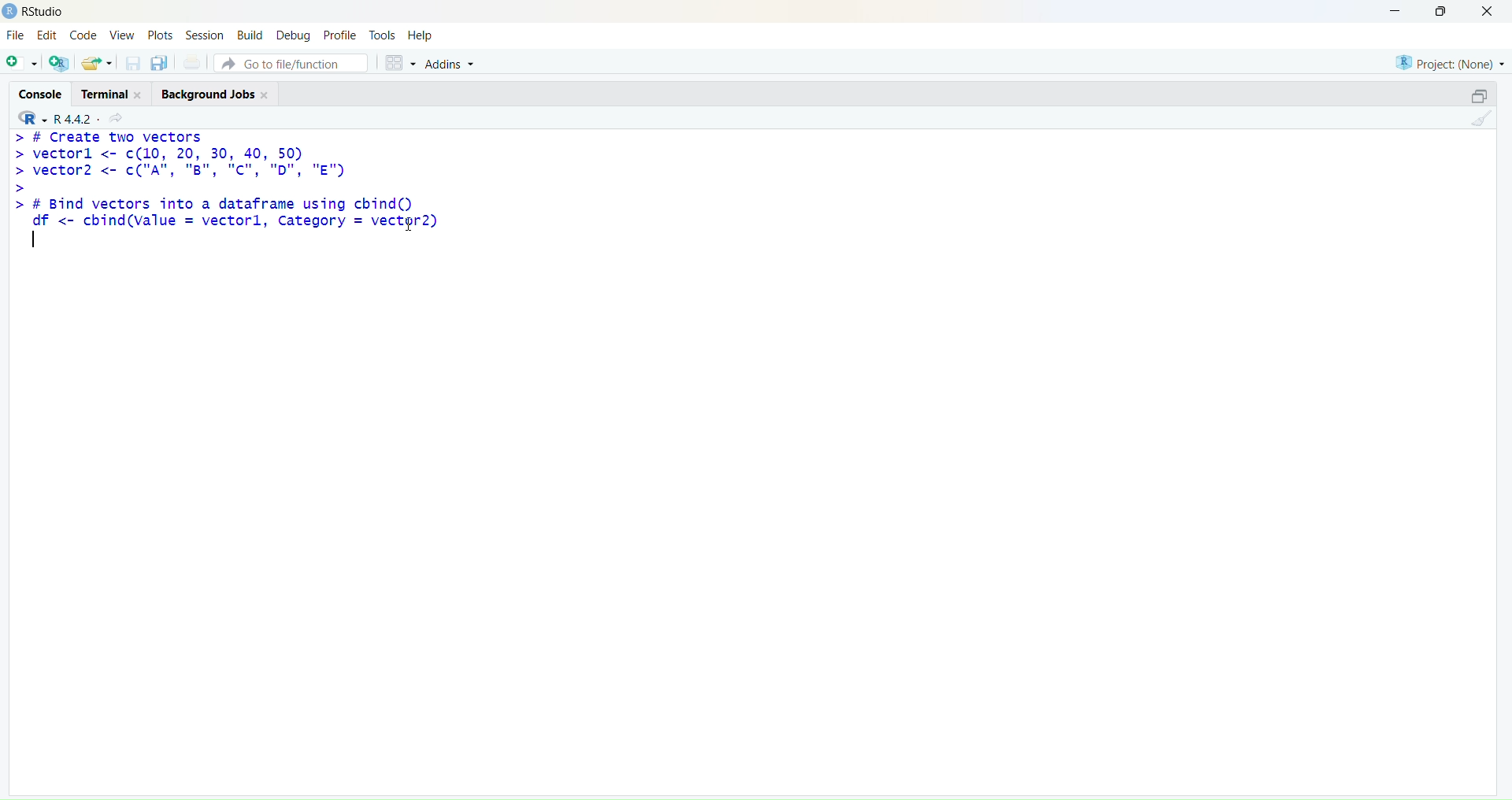  Describe the element at coordinates (383, 35) in the screenshot. I see `Tools` at that location.